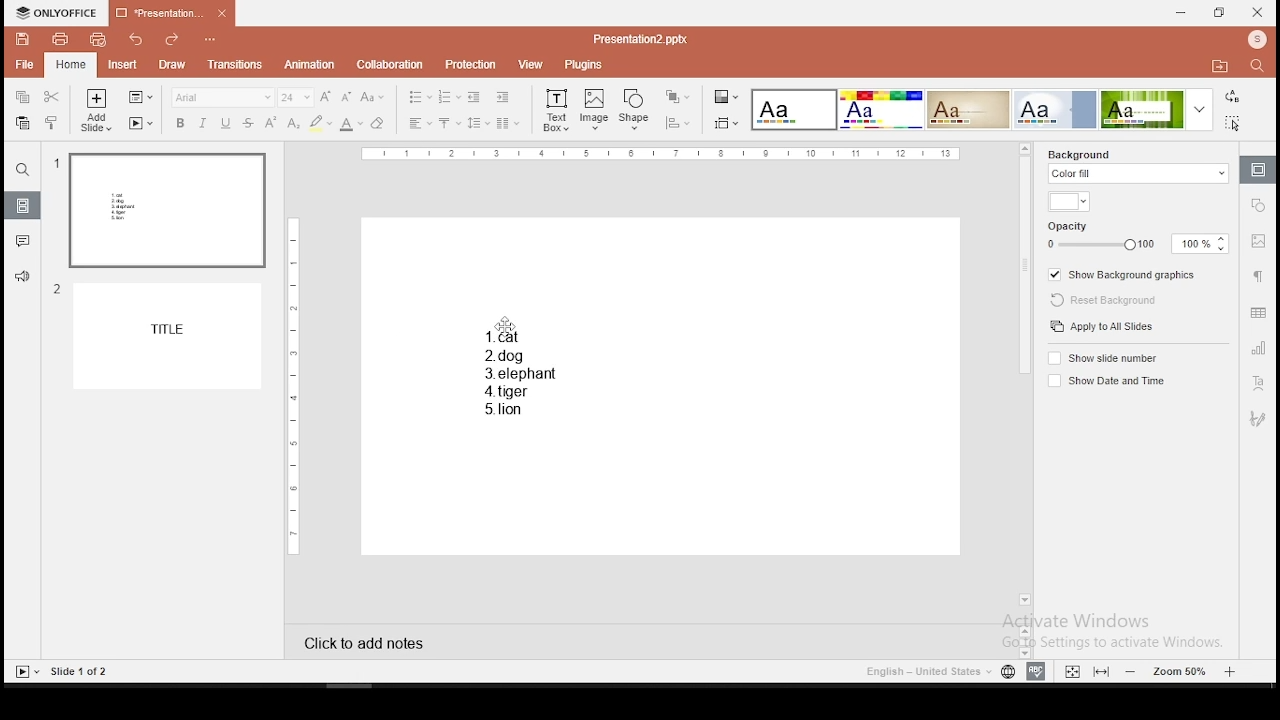 The image size is (1280, 720). Describe the element at coordinates (54, 123) in the screenshot. I see `clone formatting` at that location.